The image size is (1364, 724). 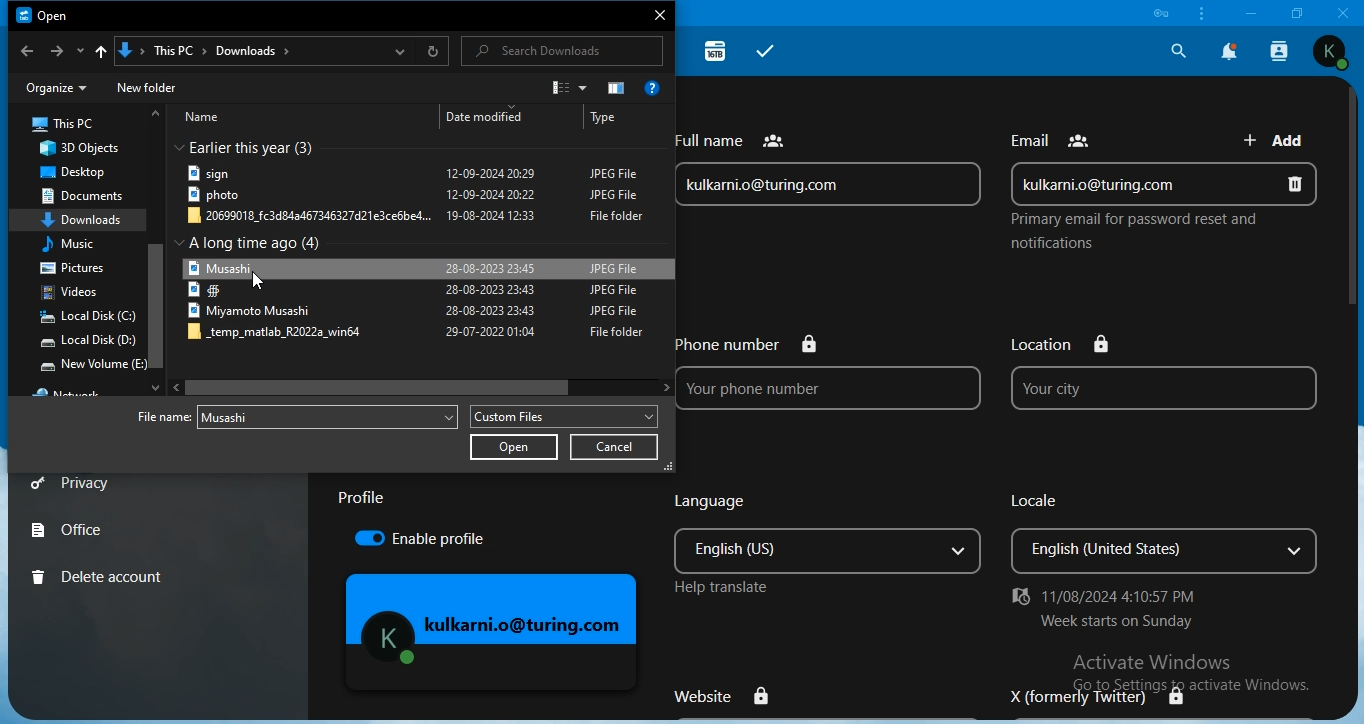 I want to click on file, so click(x=412, y=311).